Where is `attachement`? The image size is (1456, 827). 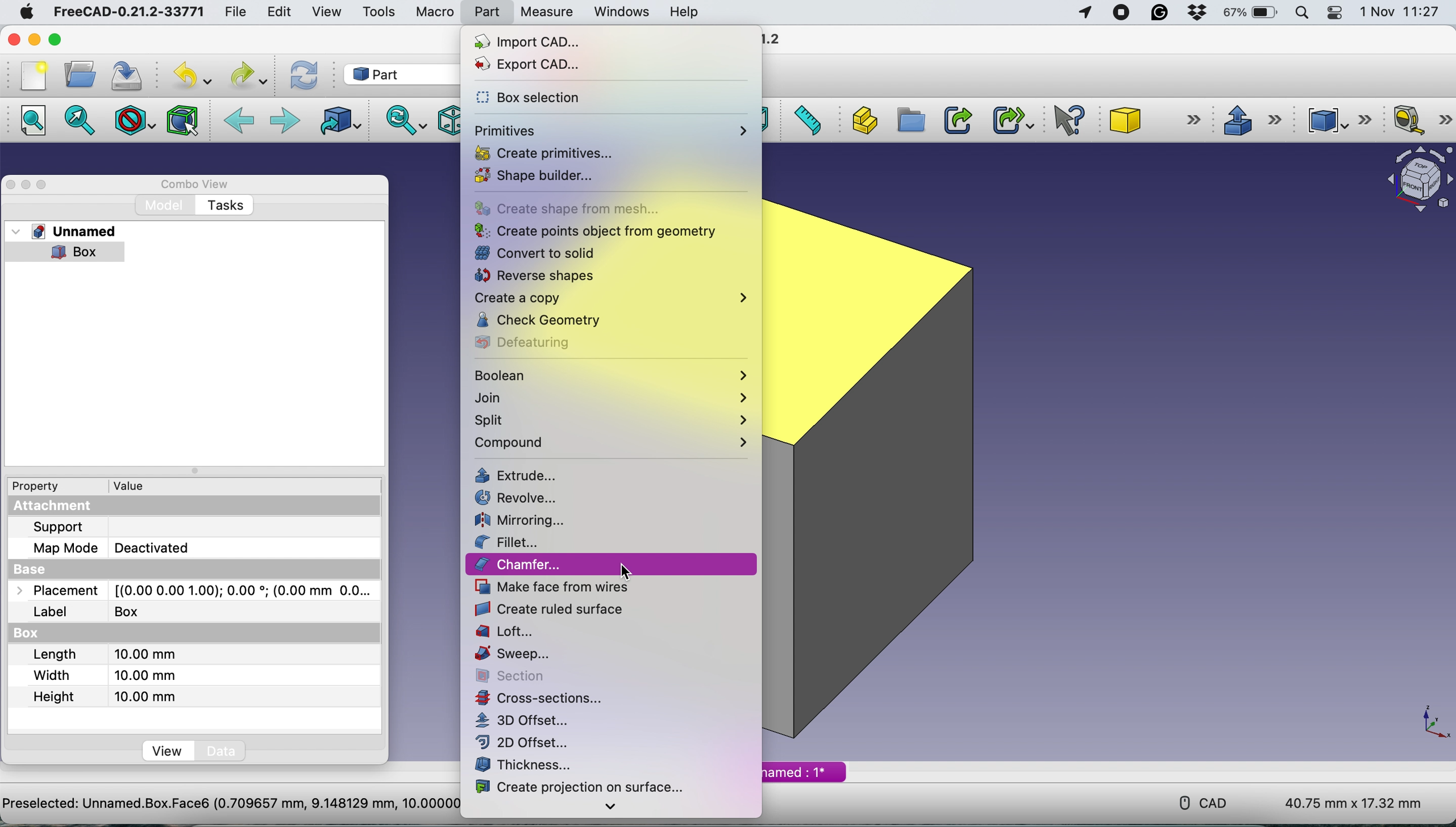 attachement is located at coordinates (51, 507).